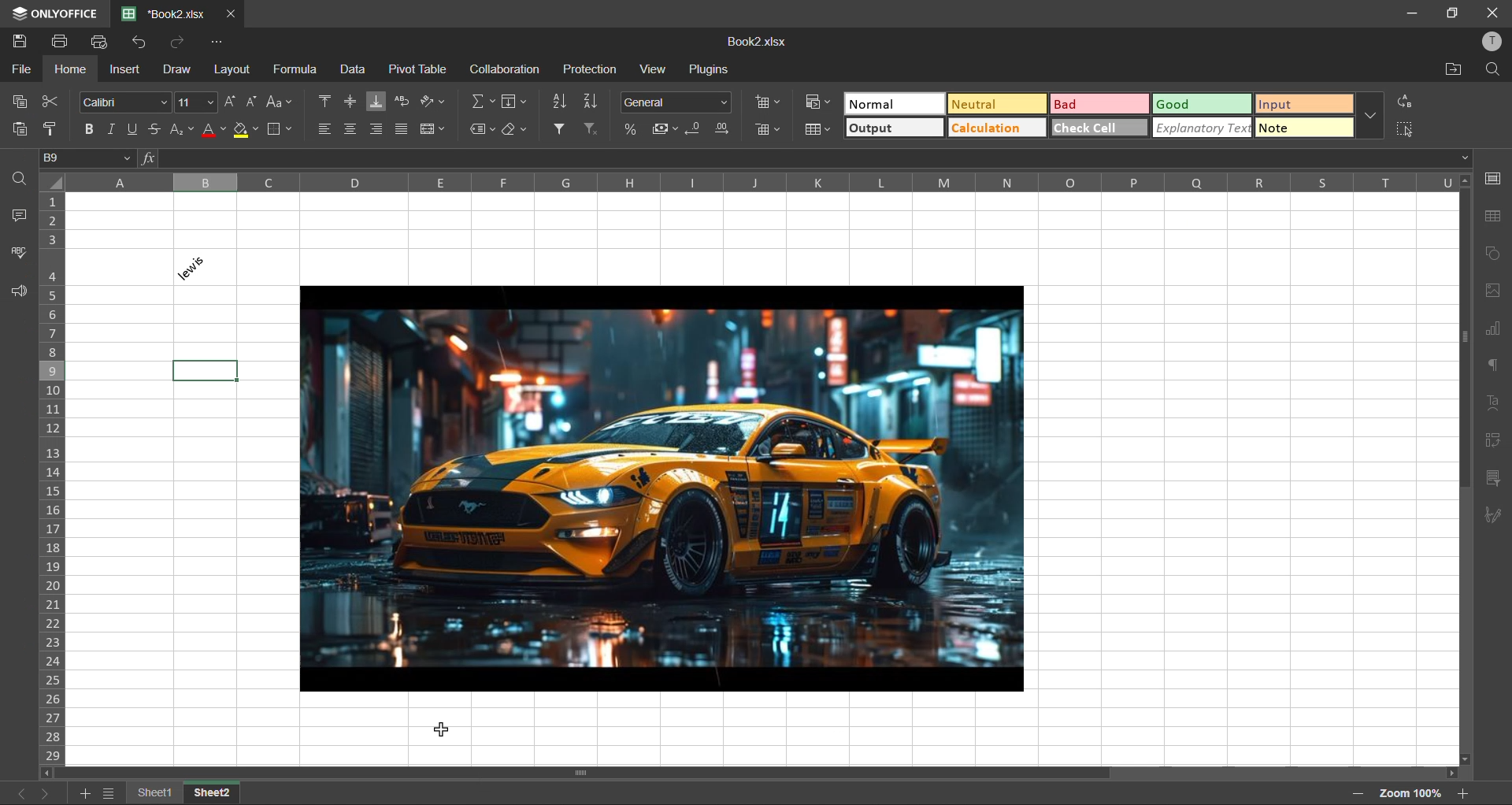  Describe the element at coordinates (1451, 15) in the screenshot. I see `maximize` at that location.